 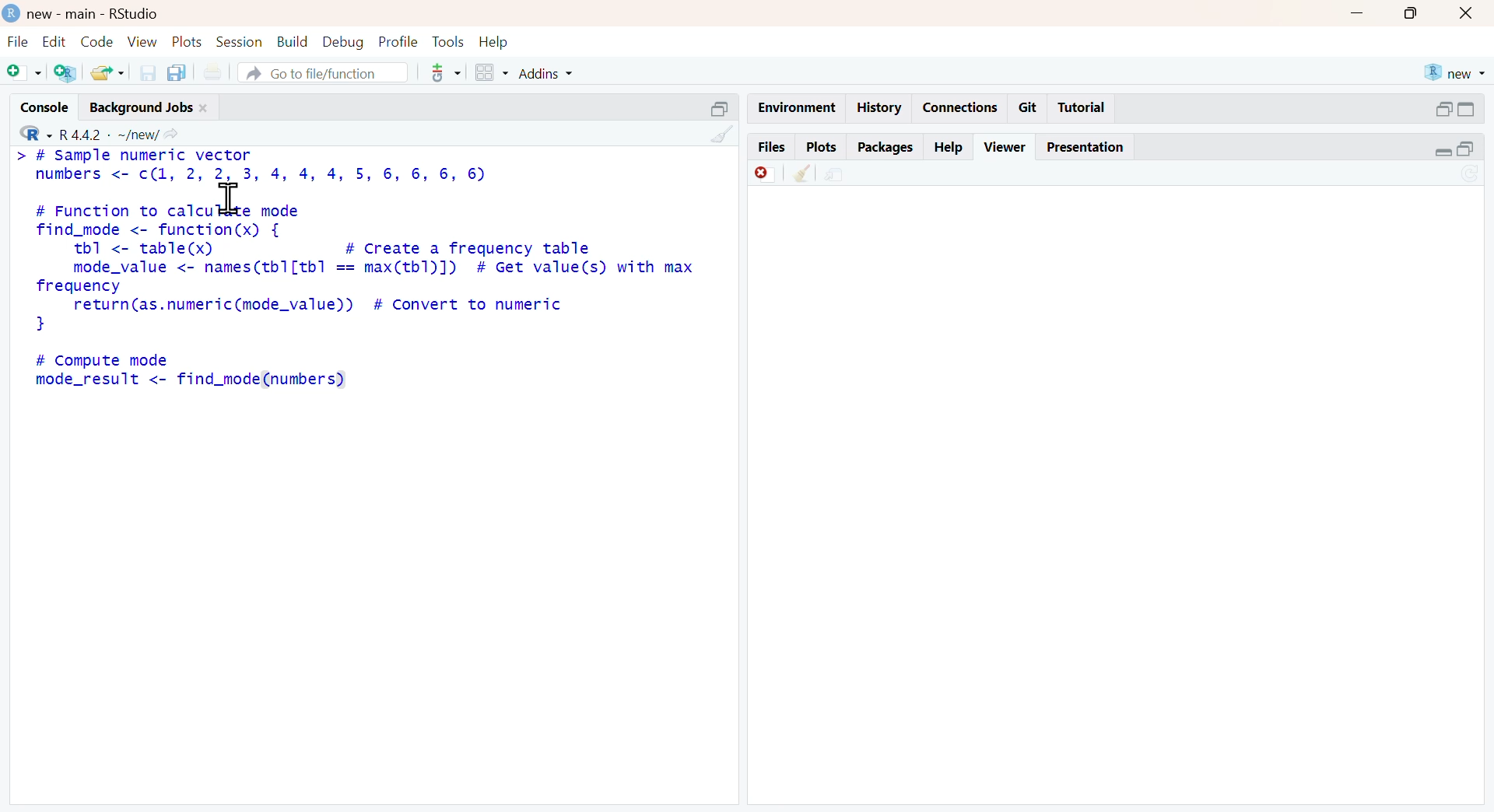 I want to click on history, so click(x=881, y=108).